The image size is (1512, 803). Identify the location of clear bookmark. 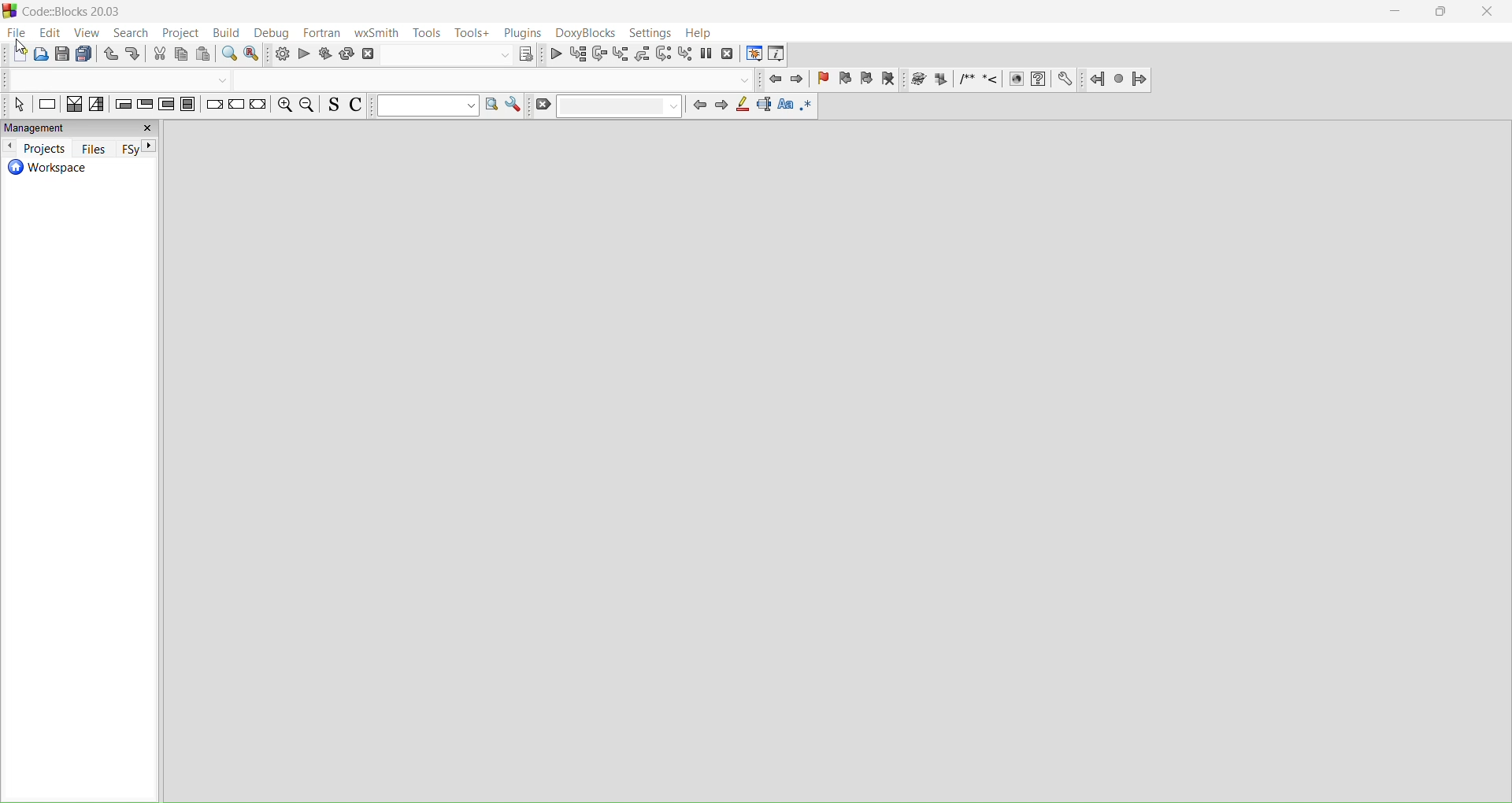
(890, 80).